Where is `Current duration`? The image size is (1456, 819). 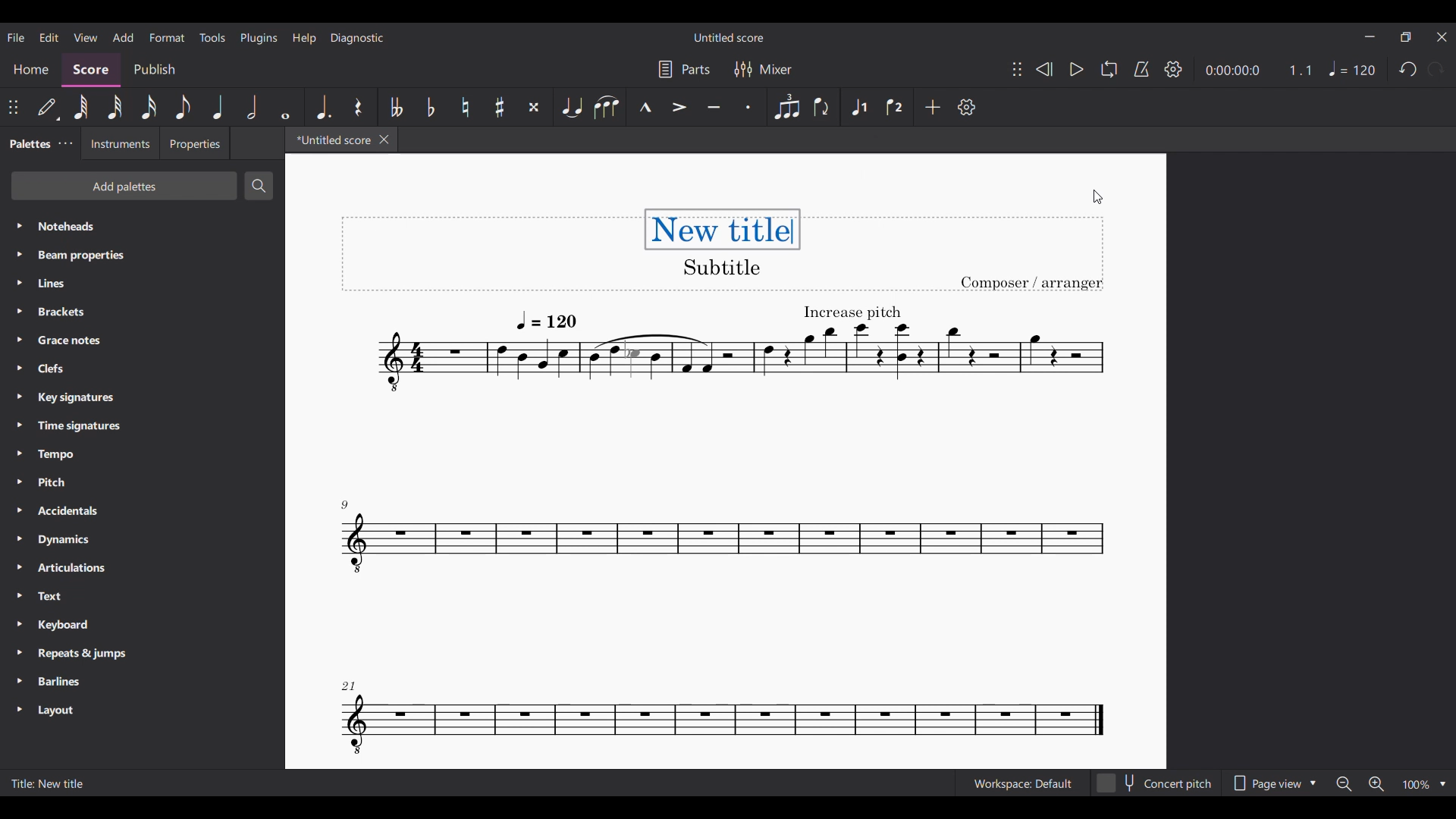 Current duration is located at coordinates (1232, 71).